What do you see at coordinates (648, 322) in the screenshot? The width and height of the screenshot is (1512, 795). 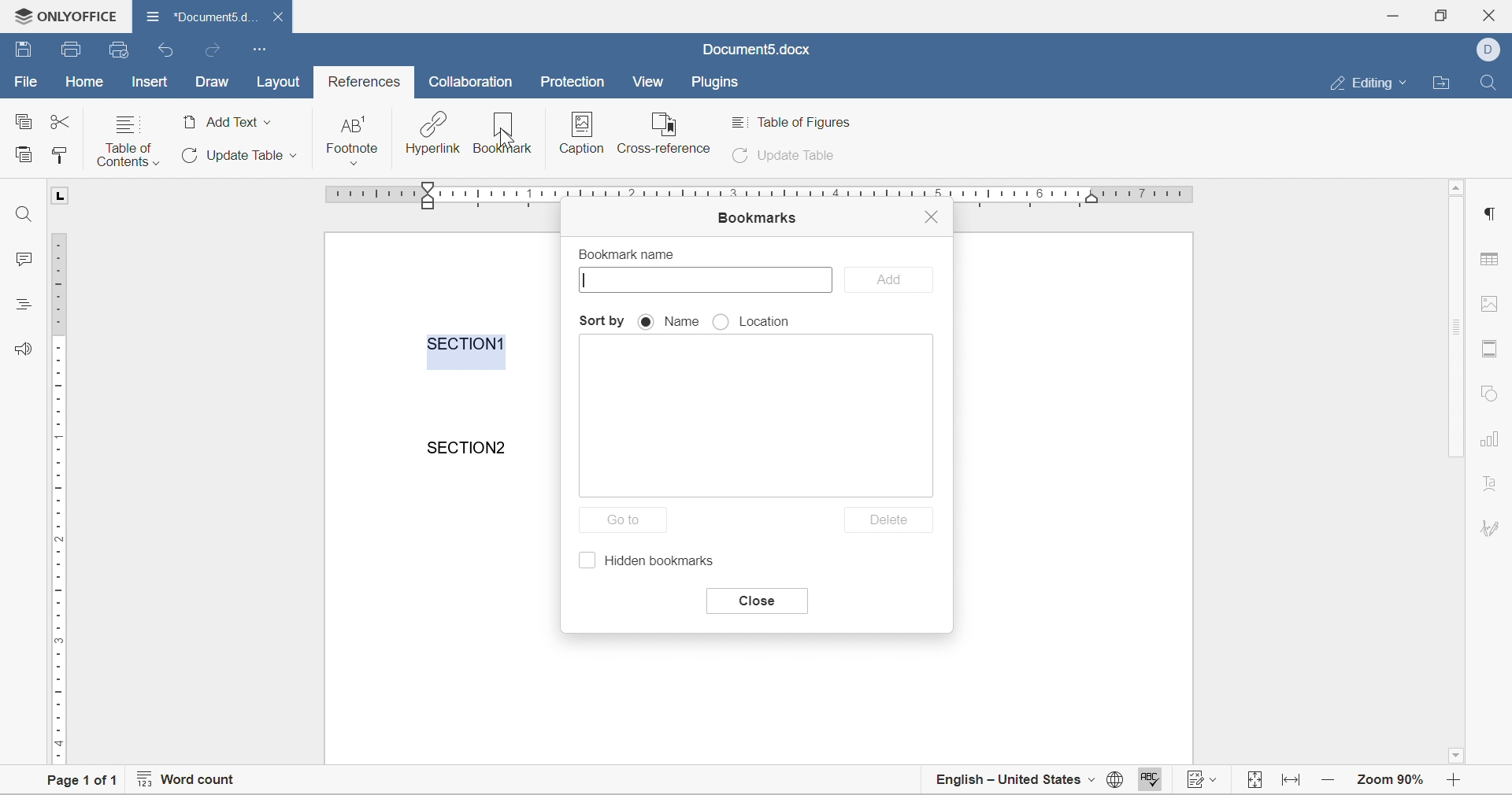 I see `radio button` at bounding box center [648, 322].